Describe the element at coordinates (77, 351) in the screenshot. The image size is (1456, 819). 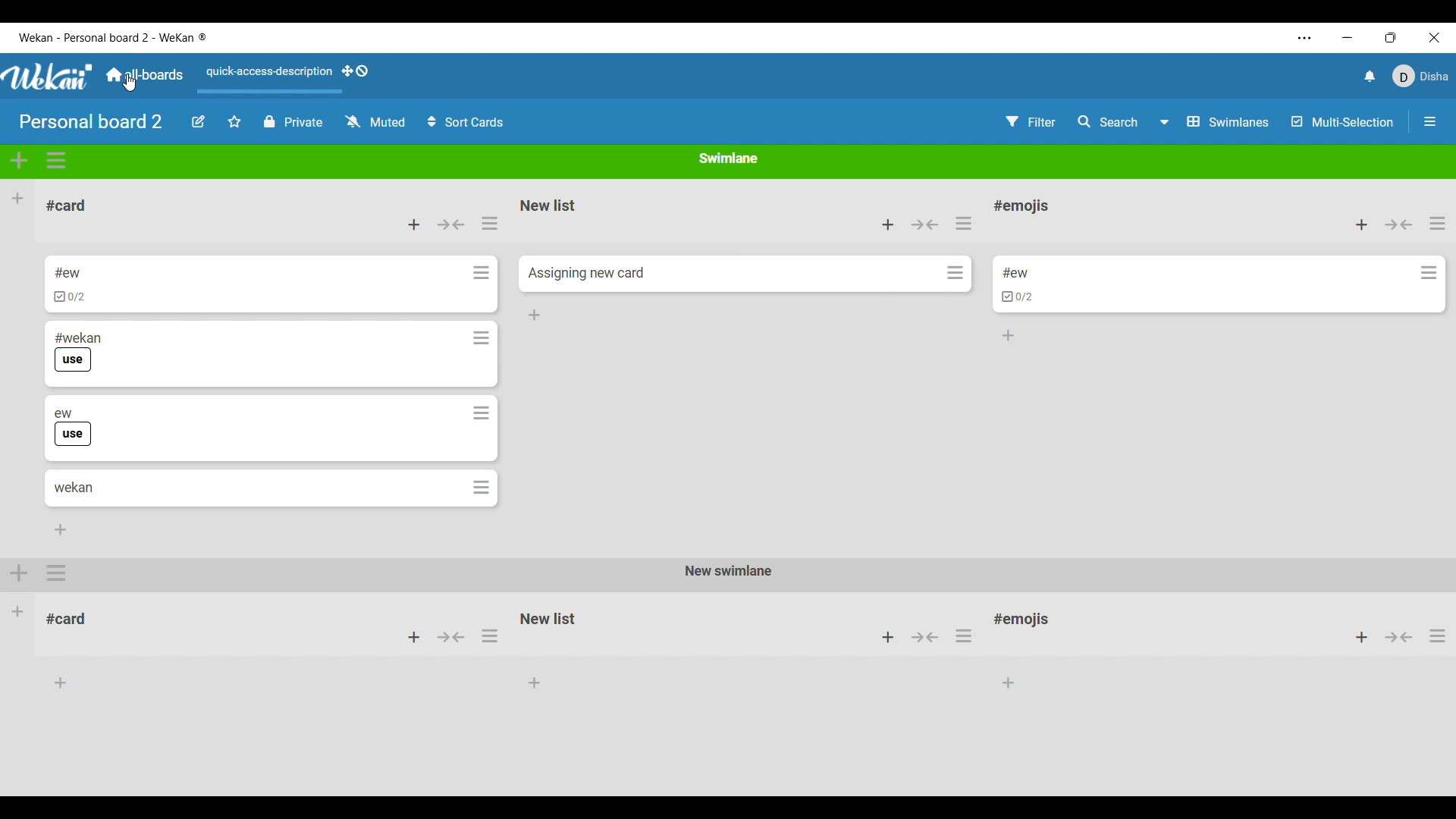
I see `Card name and label` at that location.